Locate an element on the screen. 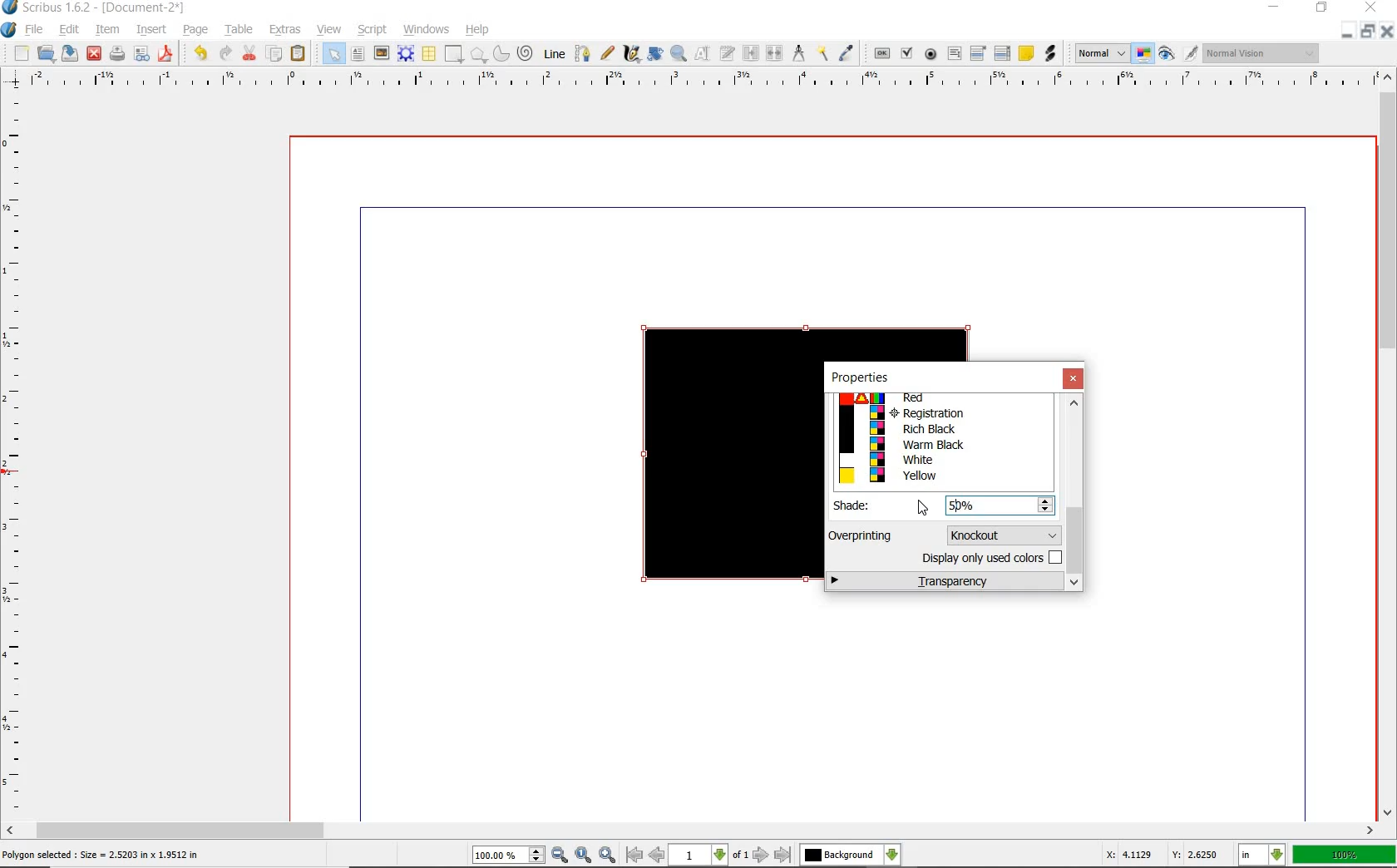  image frame is located at coordinates (383, 54).